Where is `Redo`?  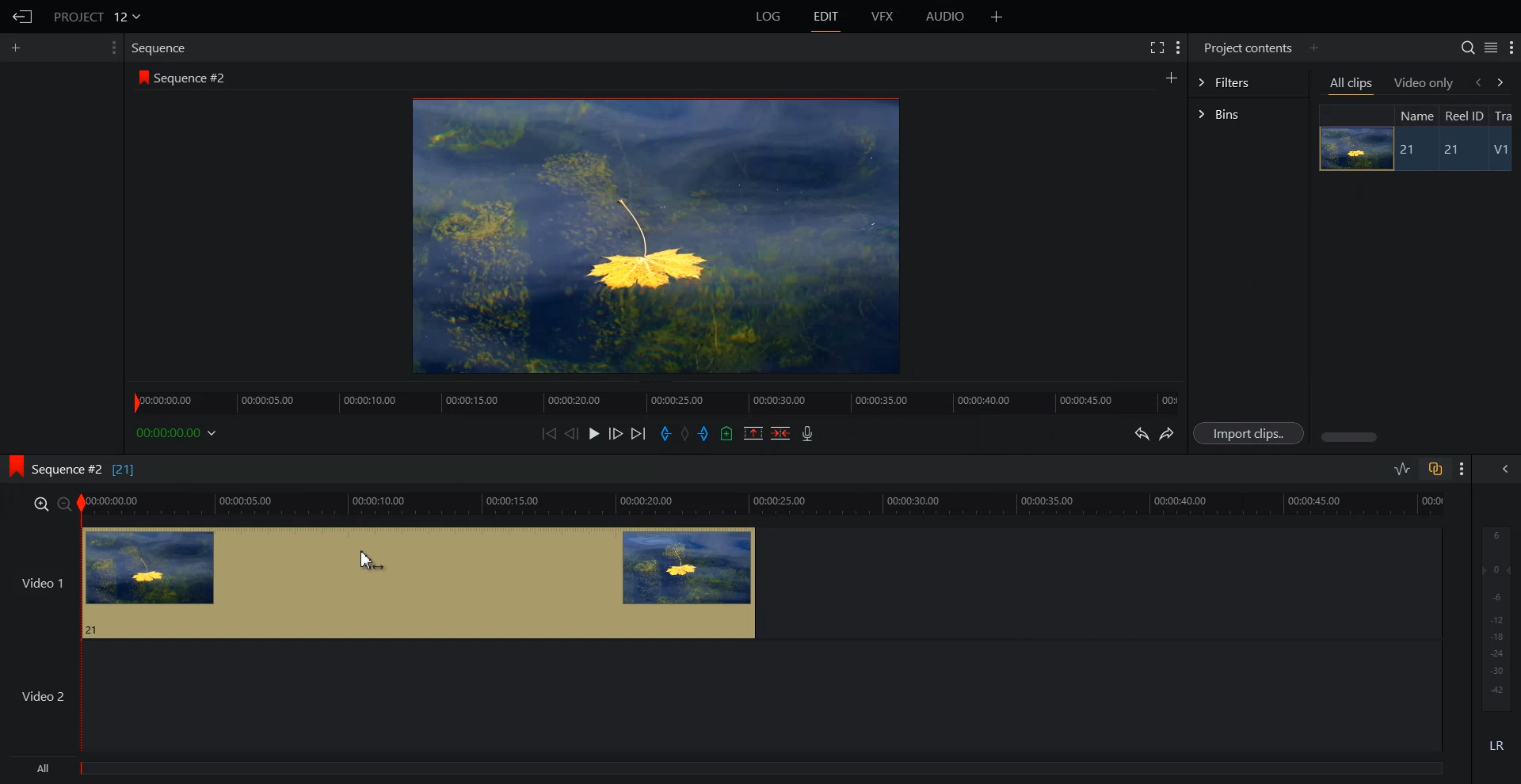
Redo is located at coordinates (1168, 434).